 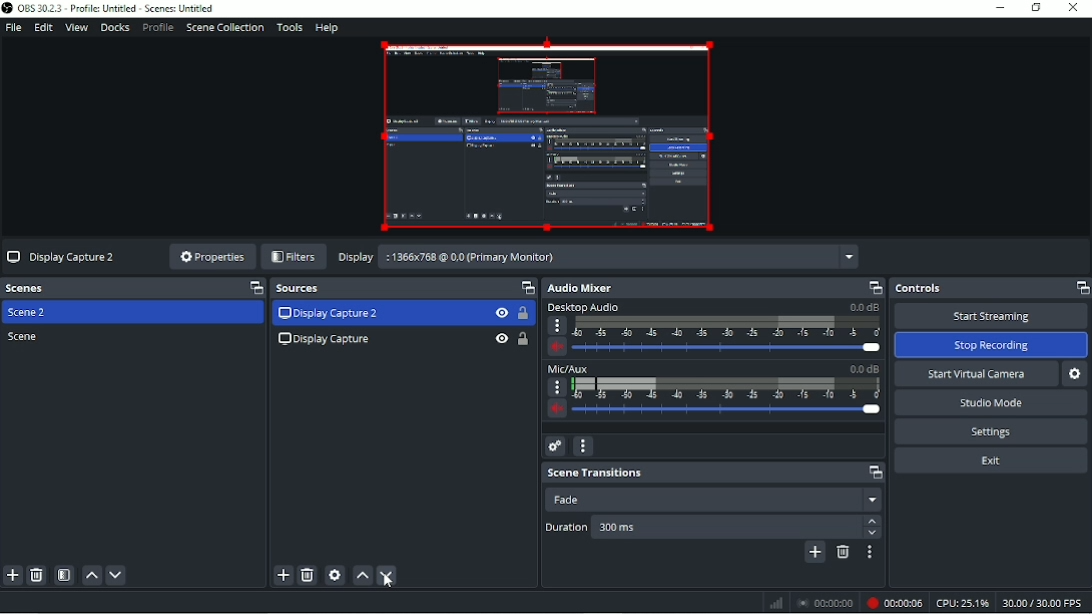 I want to click on Edit, so click(x=42, y=28).